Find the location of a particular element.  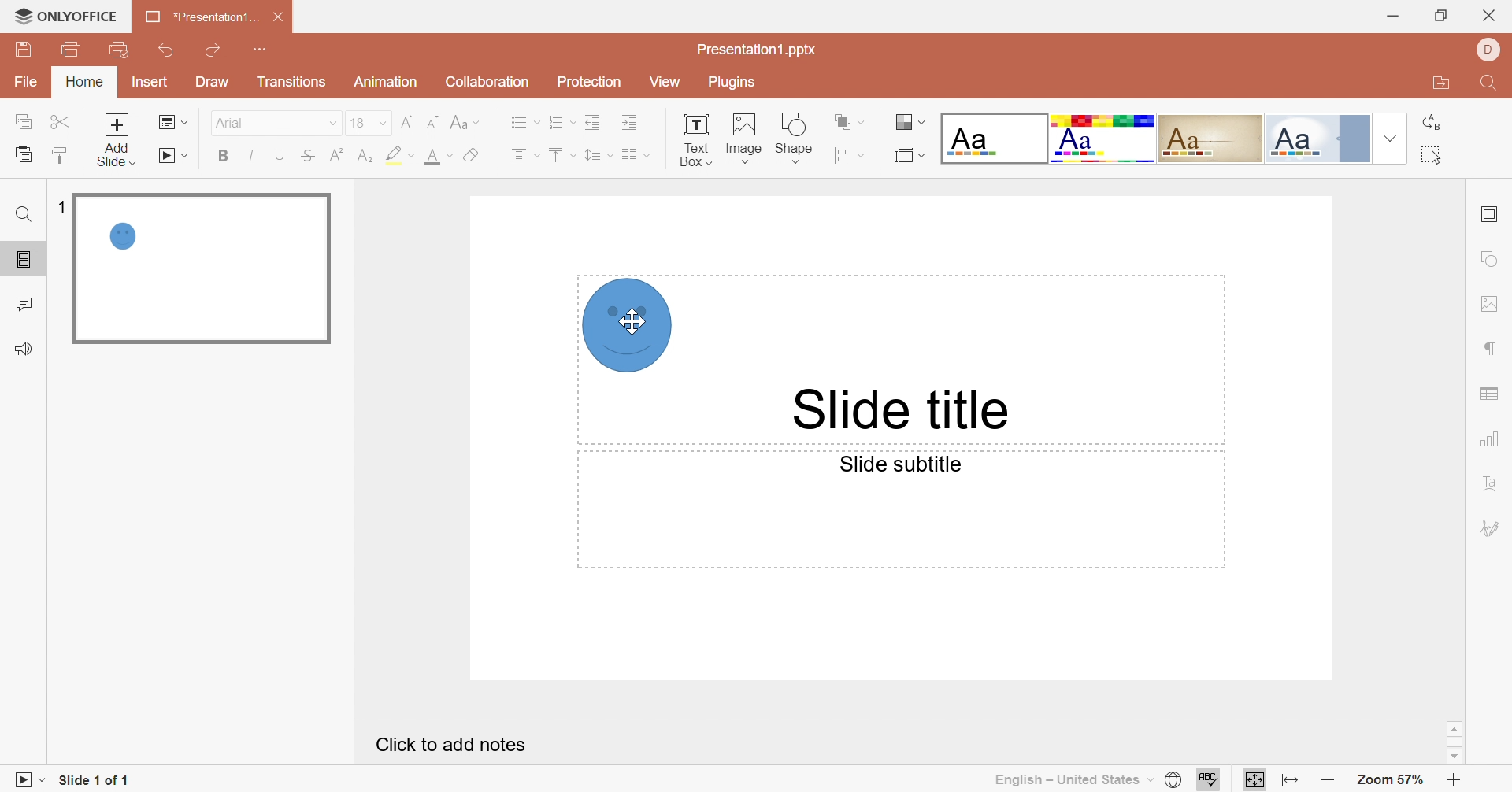

Collaboration is located at coordinates (484, 82).